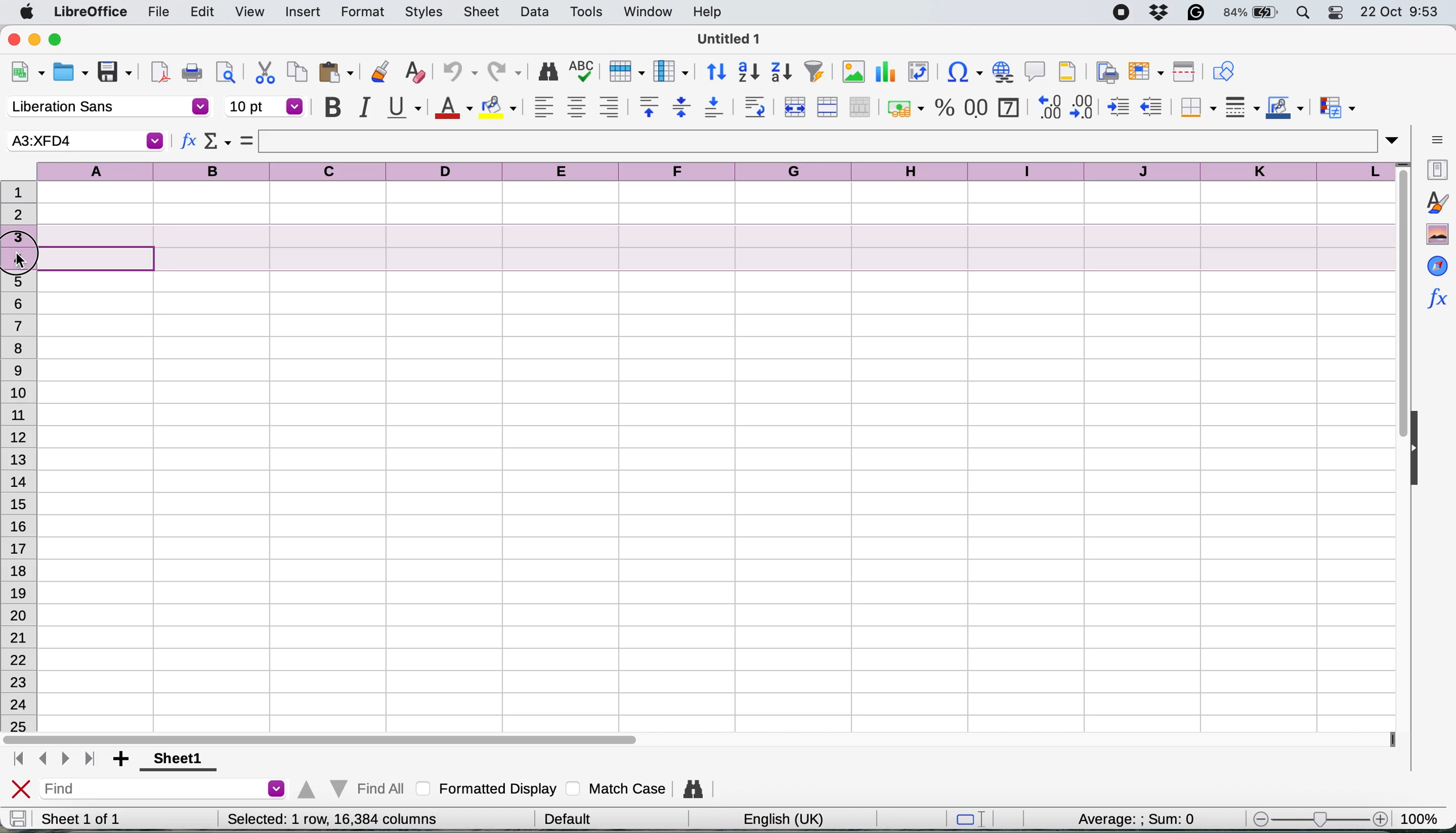  Describe the element at coordinates (247, 140) in the screenshot. I see `formula ` at that location.